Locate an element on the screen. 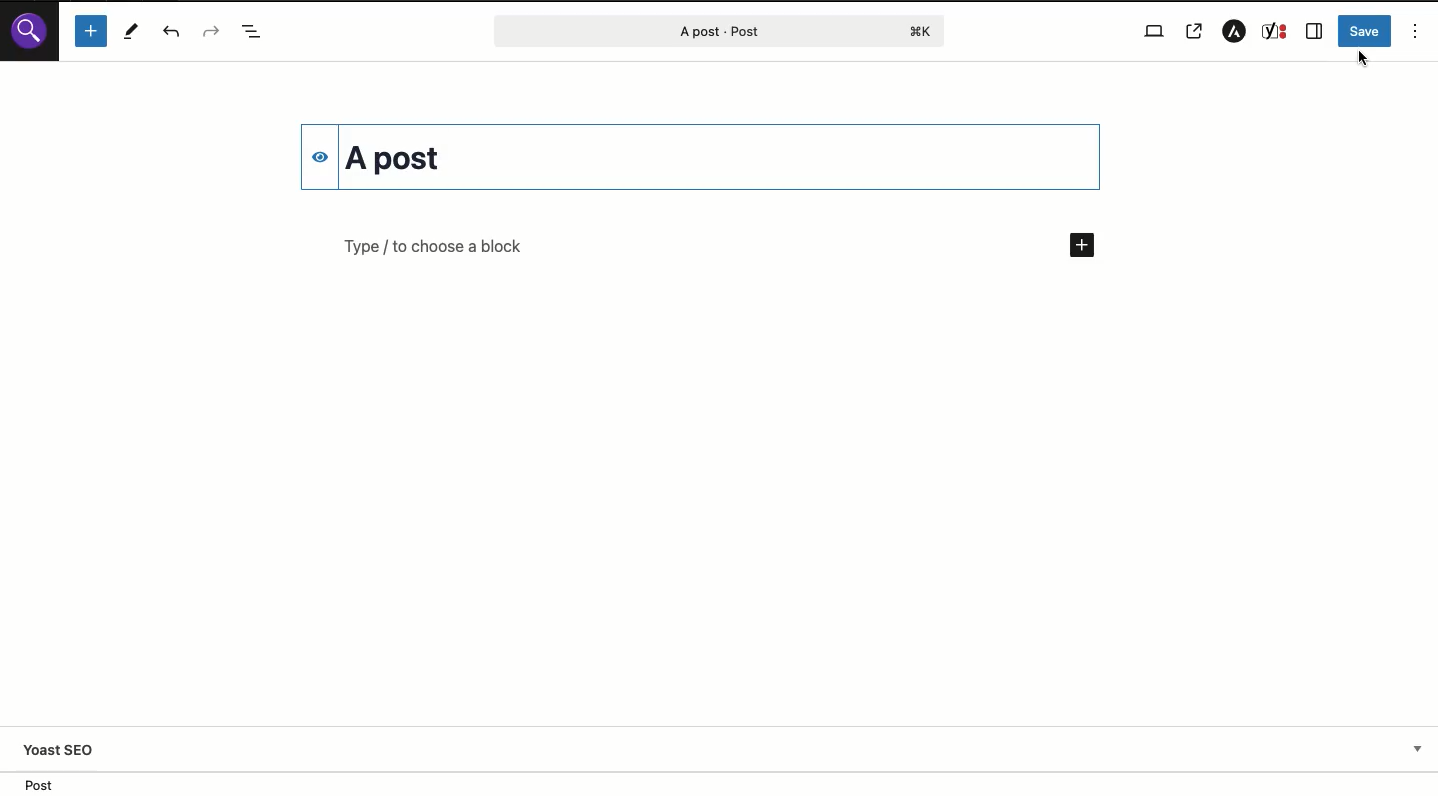 The height and width of the screenshot is (796, 1438). Wordpress logo is located at coordinates (30, 26).